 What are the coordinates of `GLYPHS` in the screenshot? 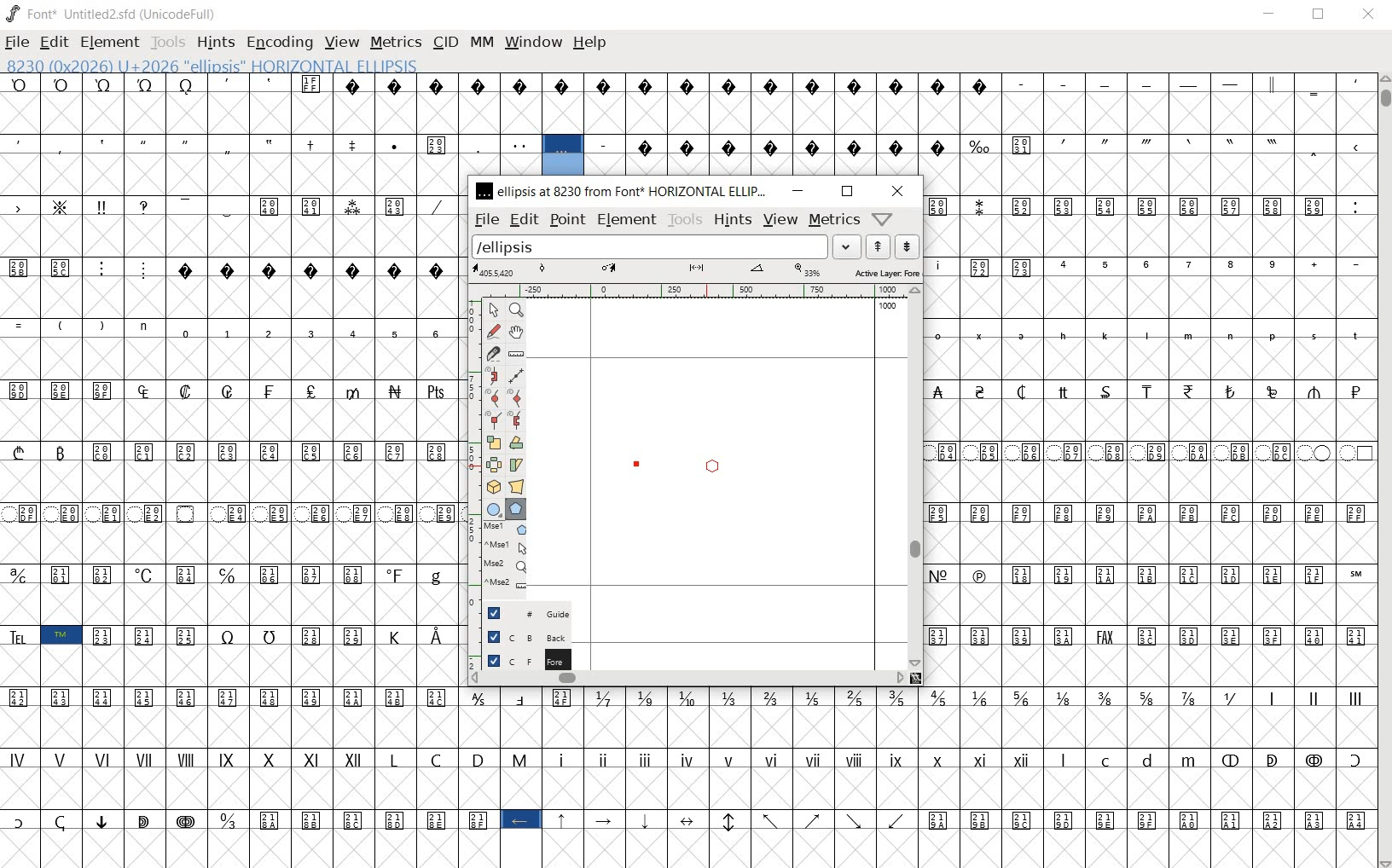 It's located at (225, 464).